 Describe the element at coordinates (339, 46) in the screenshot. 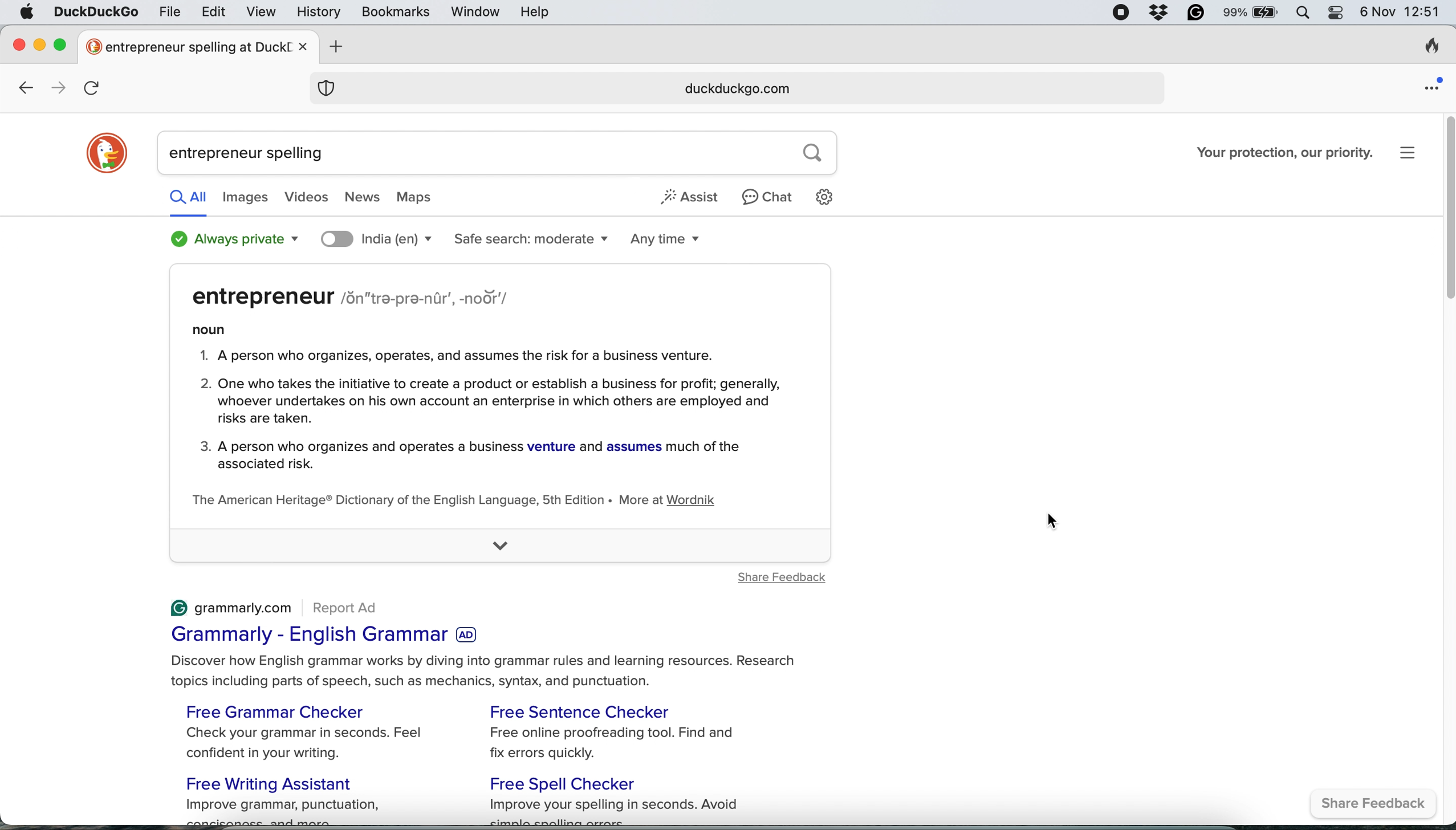

I see `add new tab` at that location.